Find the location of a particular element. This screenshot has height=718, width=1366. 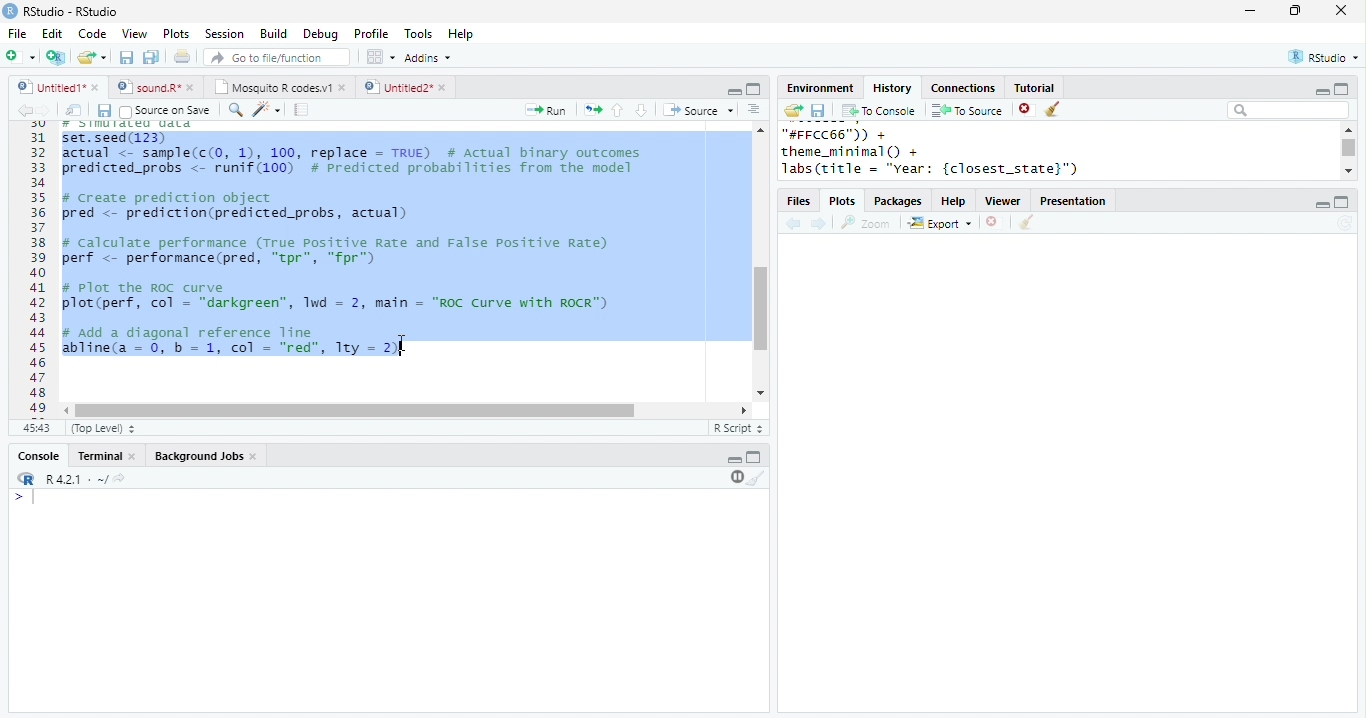

new project is located at coordinates (57, 57).